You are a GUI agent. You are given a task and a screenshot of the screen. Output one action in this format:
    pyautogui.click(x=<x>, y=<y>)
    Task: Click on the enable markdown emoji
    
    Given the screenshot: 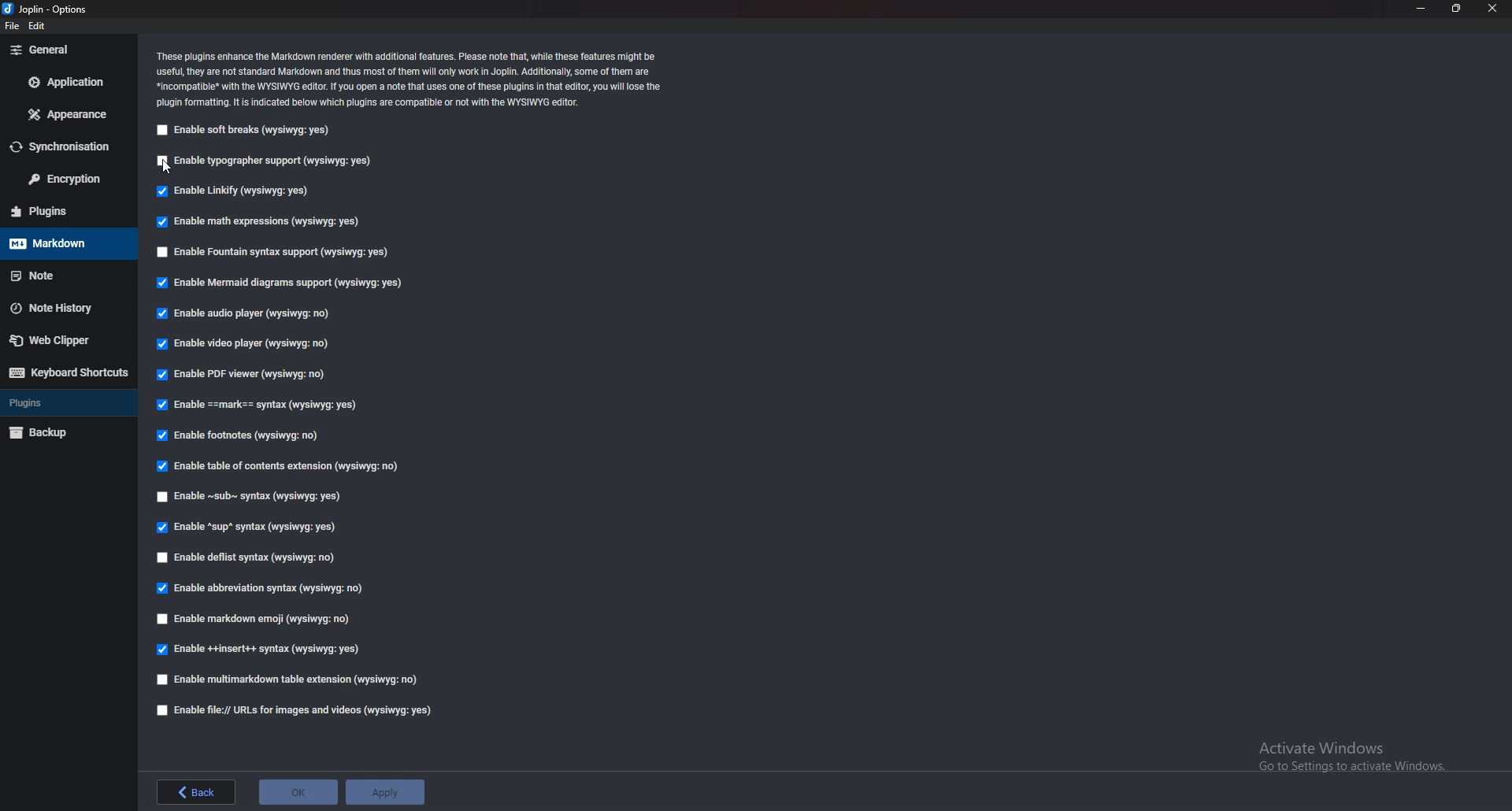 What is the action you would take?
    pyautogui.click(x=250, y=620)
    